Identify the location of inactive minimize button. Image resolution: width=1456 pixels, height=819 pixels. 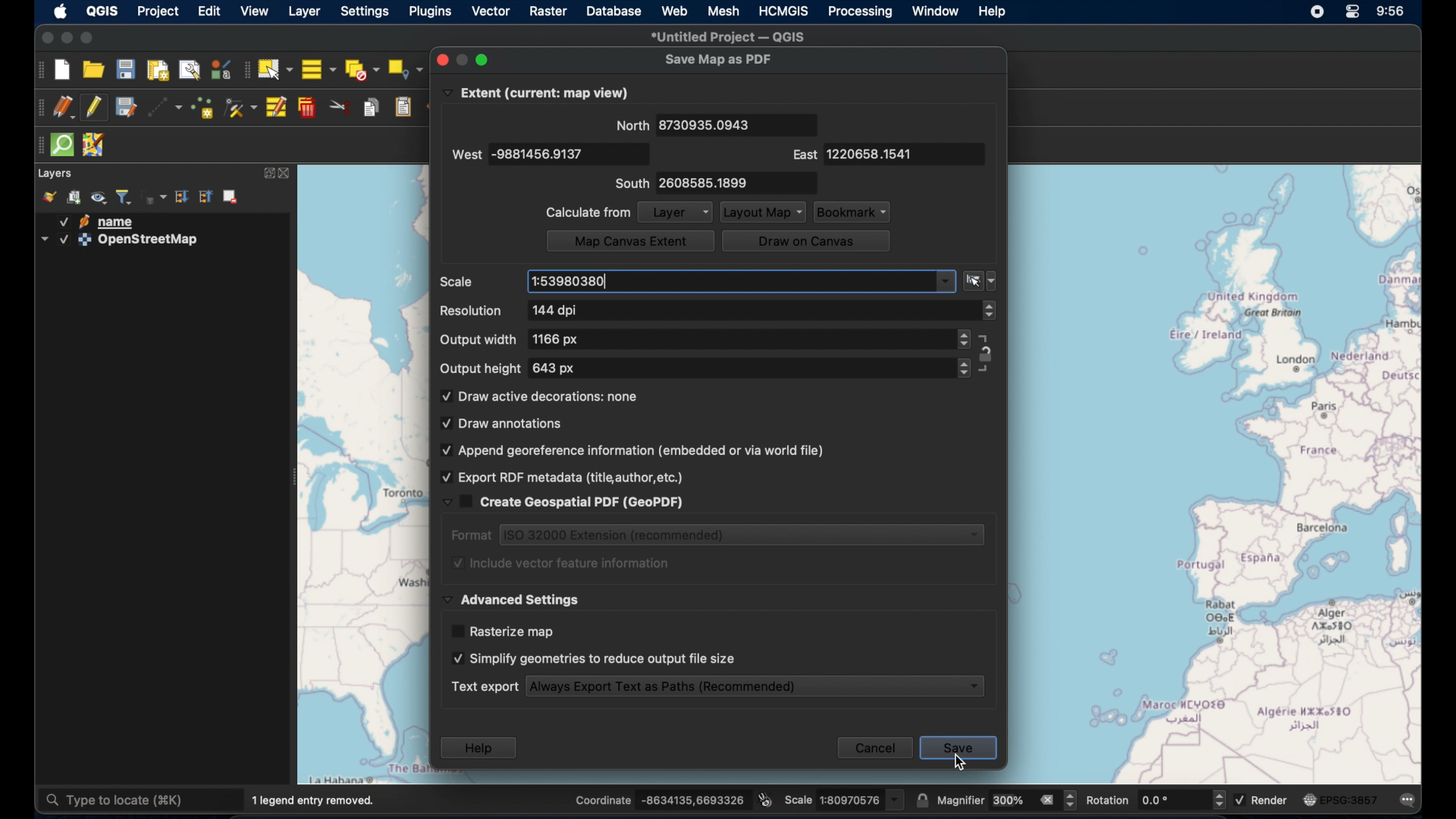
(462, 61).